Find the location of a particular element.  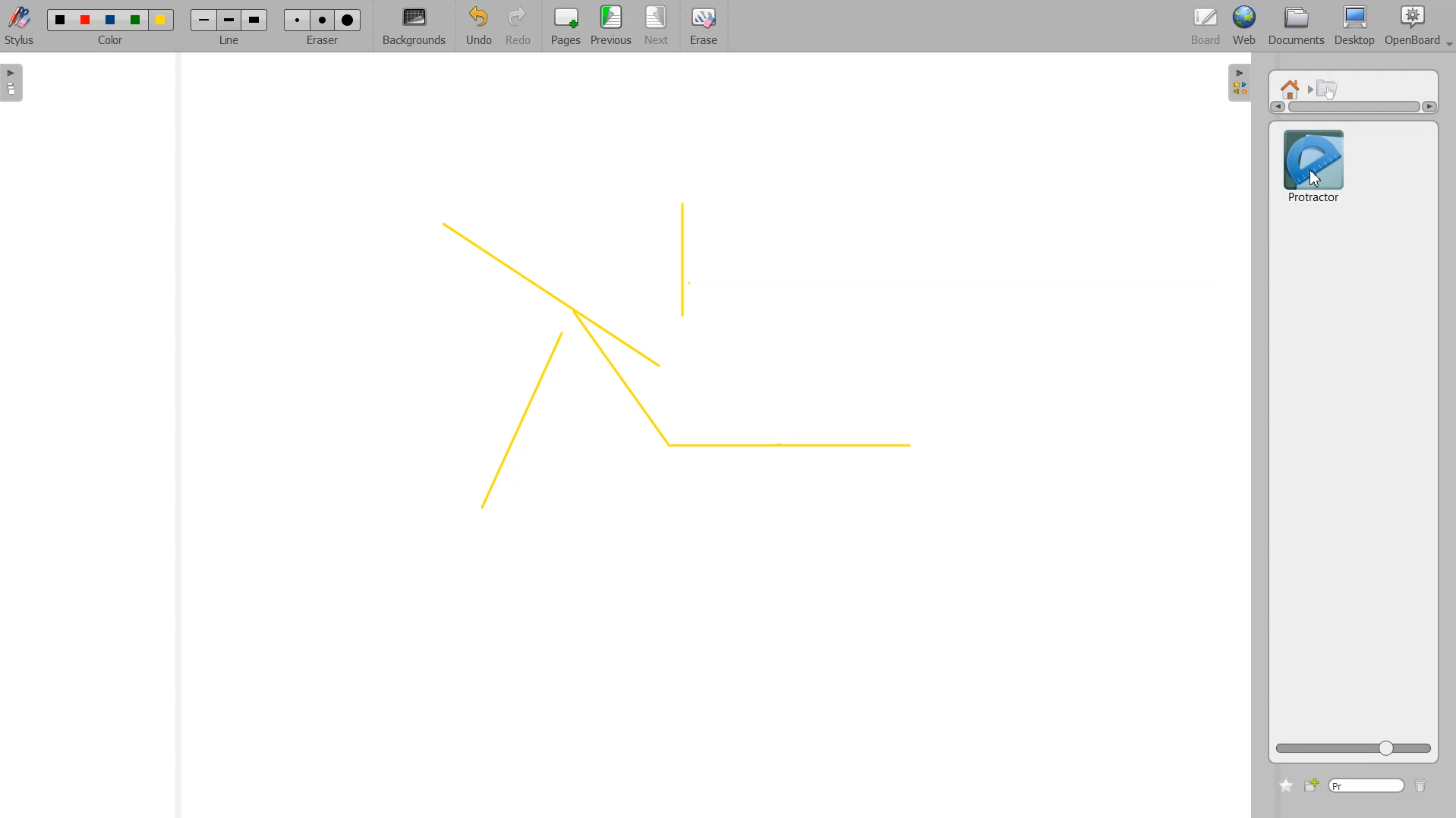

Stylus is located at coordinates (21, 25).